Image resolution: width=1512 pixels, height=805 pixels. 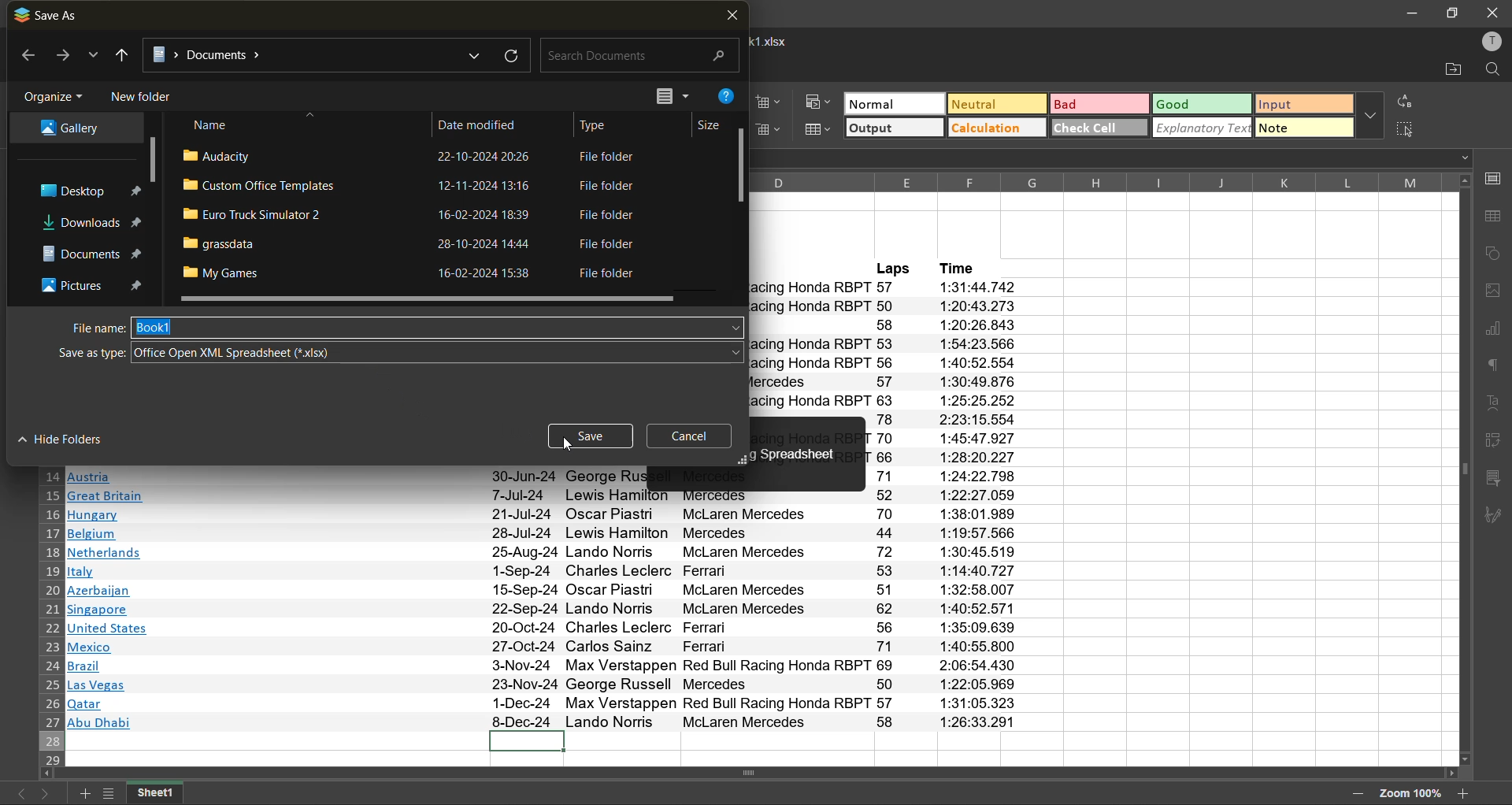 What do you see at coordinates (819, 102) in the screenshot?
I see `conditional formatting` at bounding box center [819, 102].